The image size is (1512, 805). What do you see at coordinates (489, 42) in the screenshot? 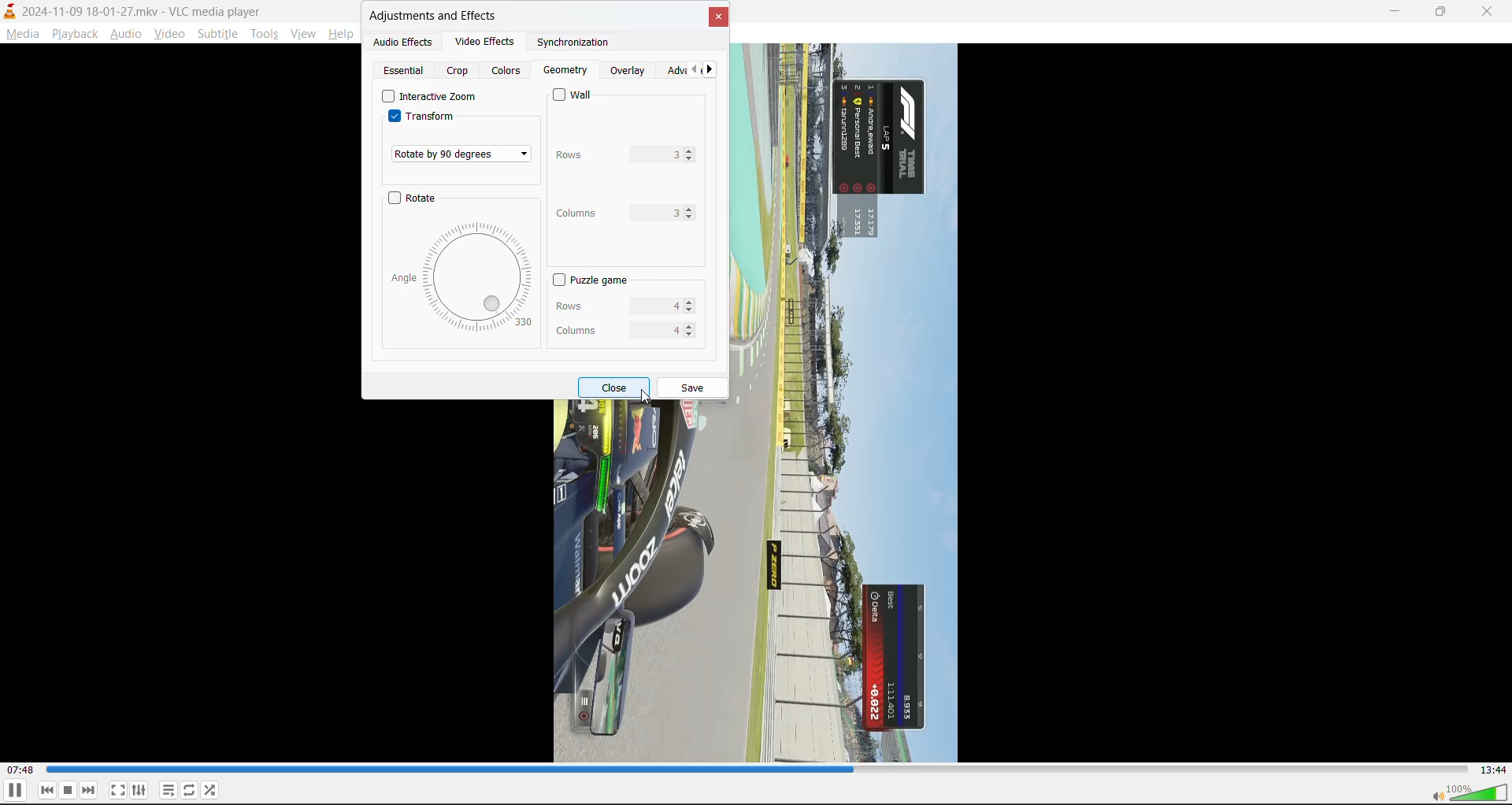
I see `video effects` at bounding box center [489, 42].